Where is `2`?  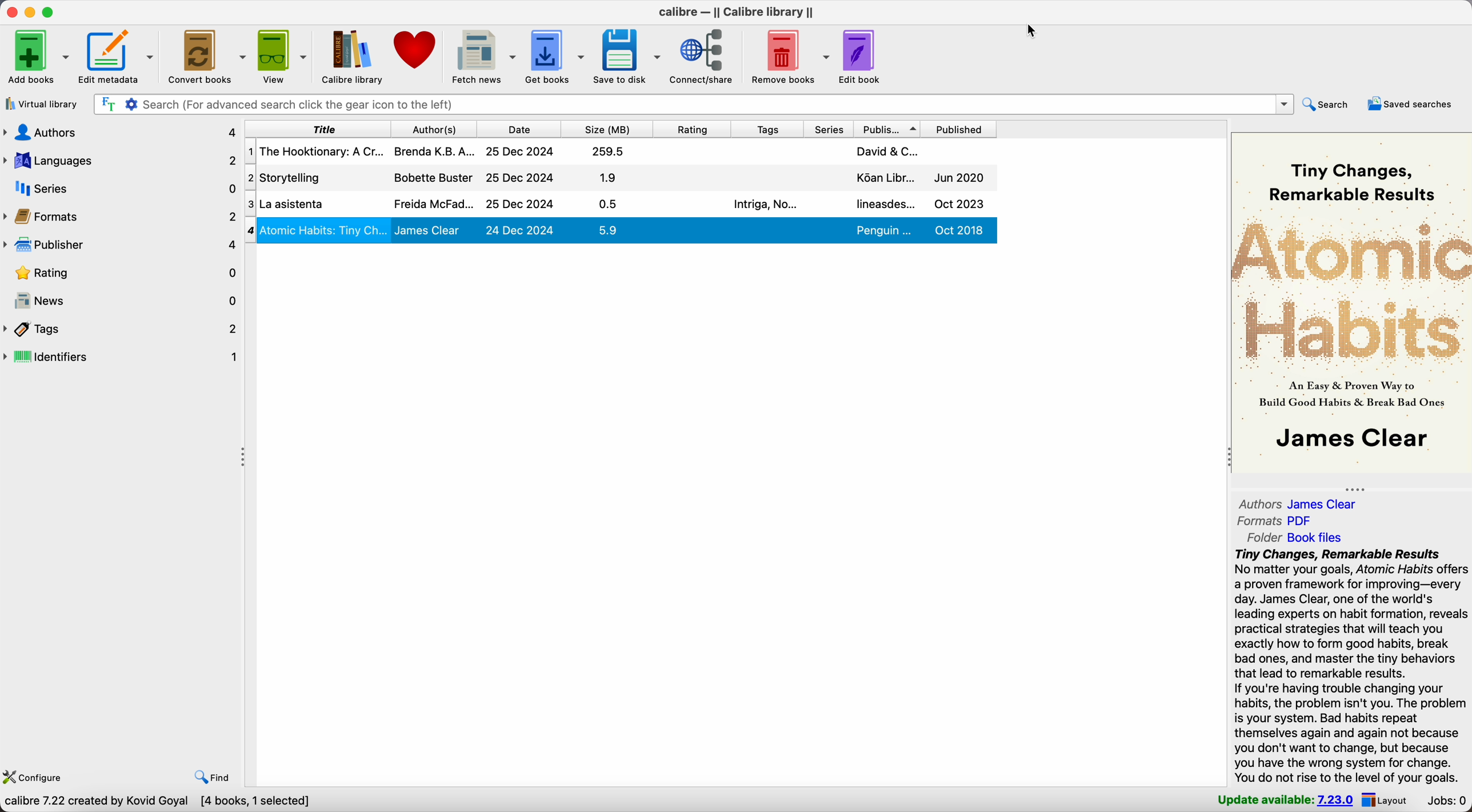 2 is located at coordinates (250, 178).